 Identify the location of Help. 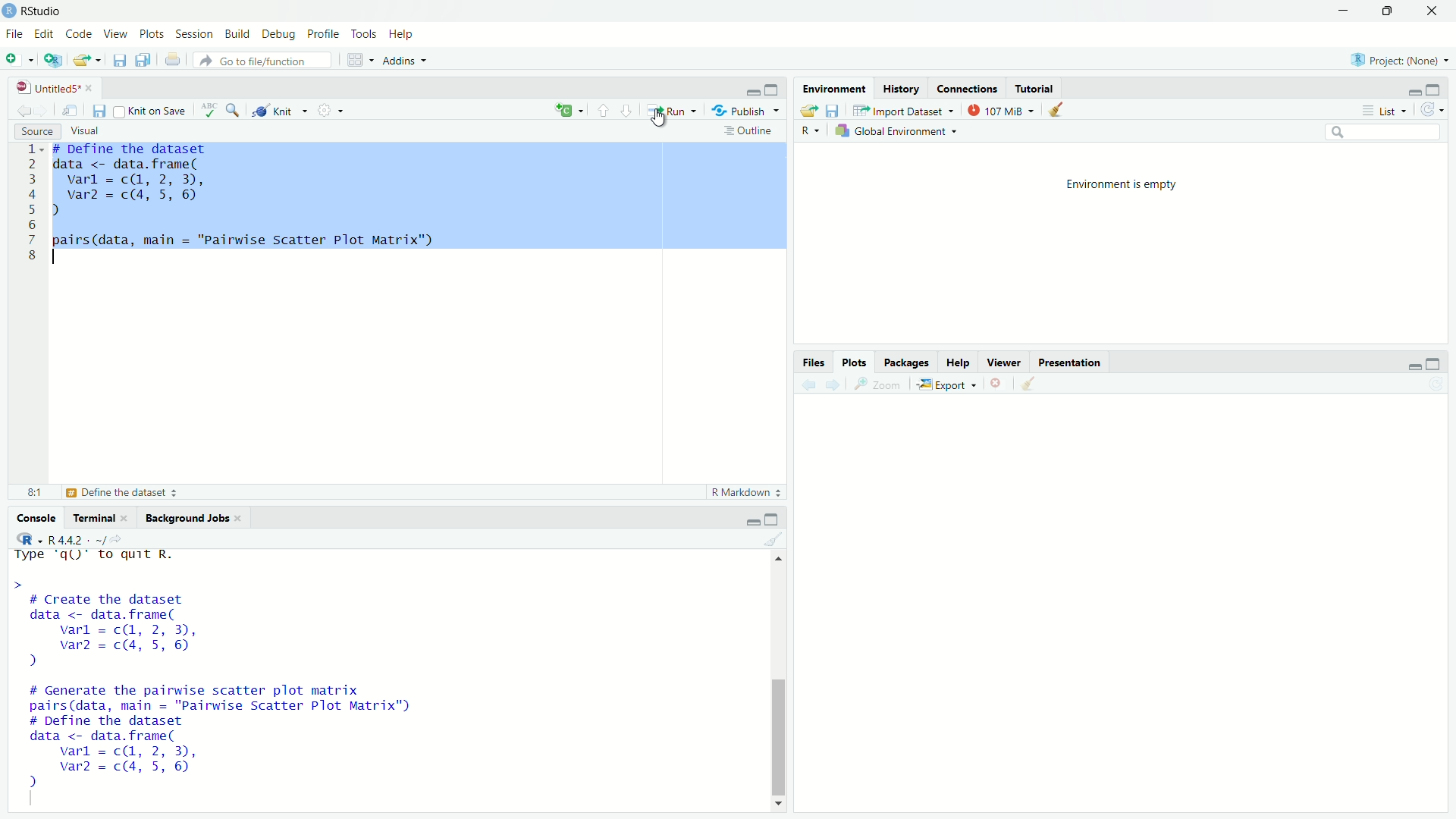
(959, 362).